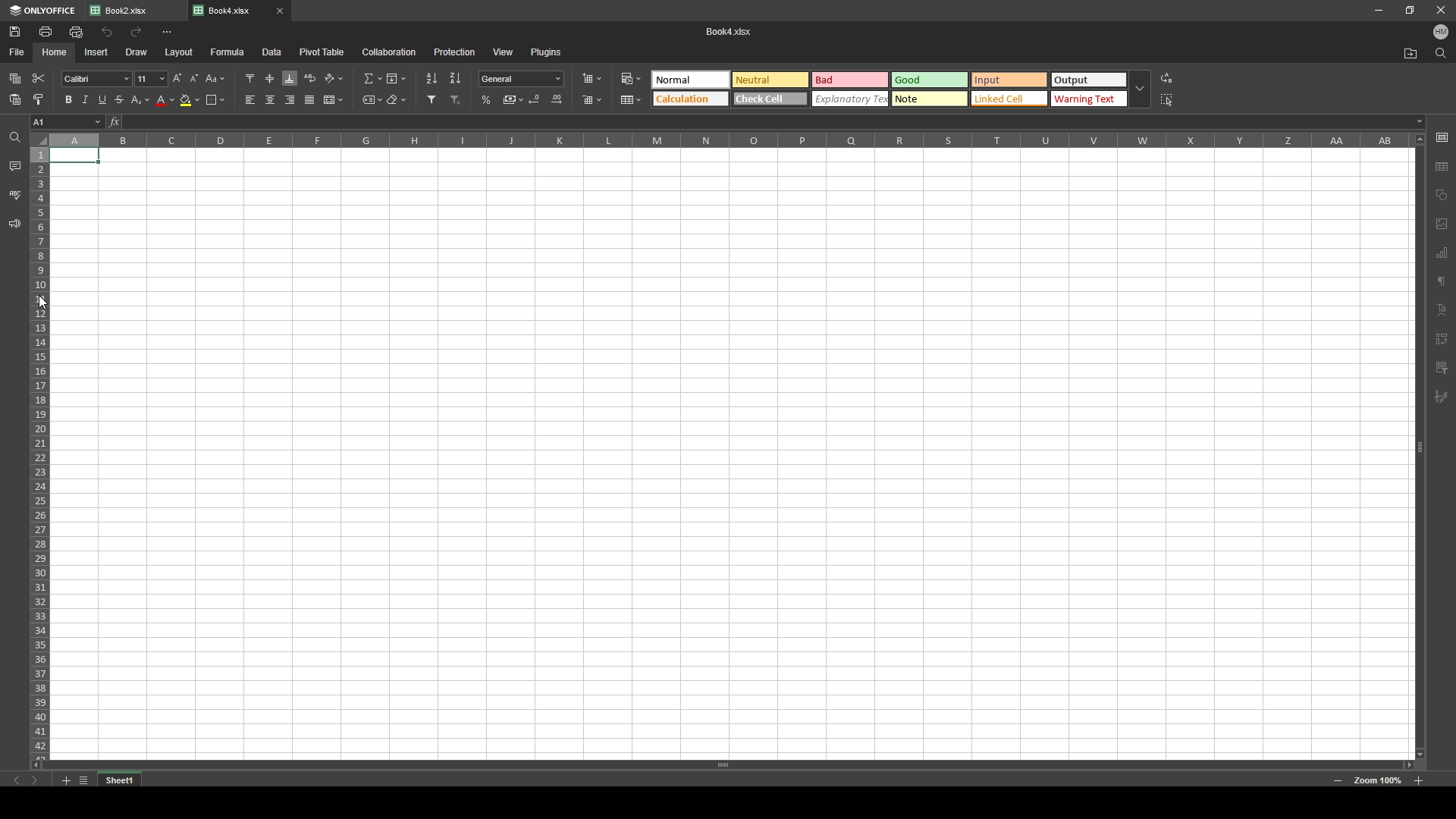  What do you see at coordinates (271, 99) in the screenshot?
I see `align centre` at bounding box center [271, 99].